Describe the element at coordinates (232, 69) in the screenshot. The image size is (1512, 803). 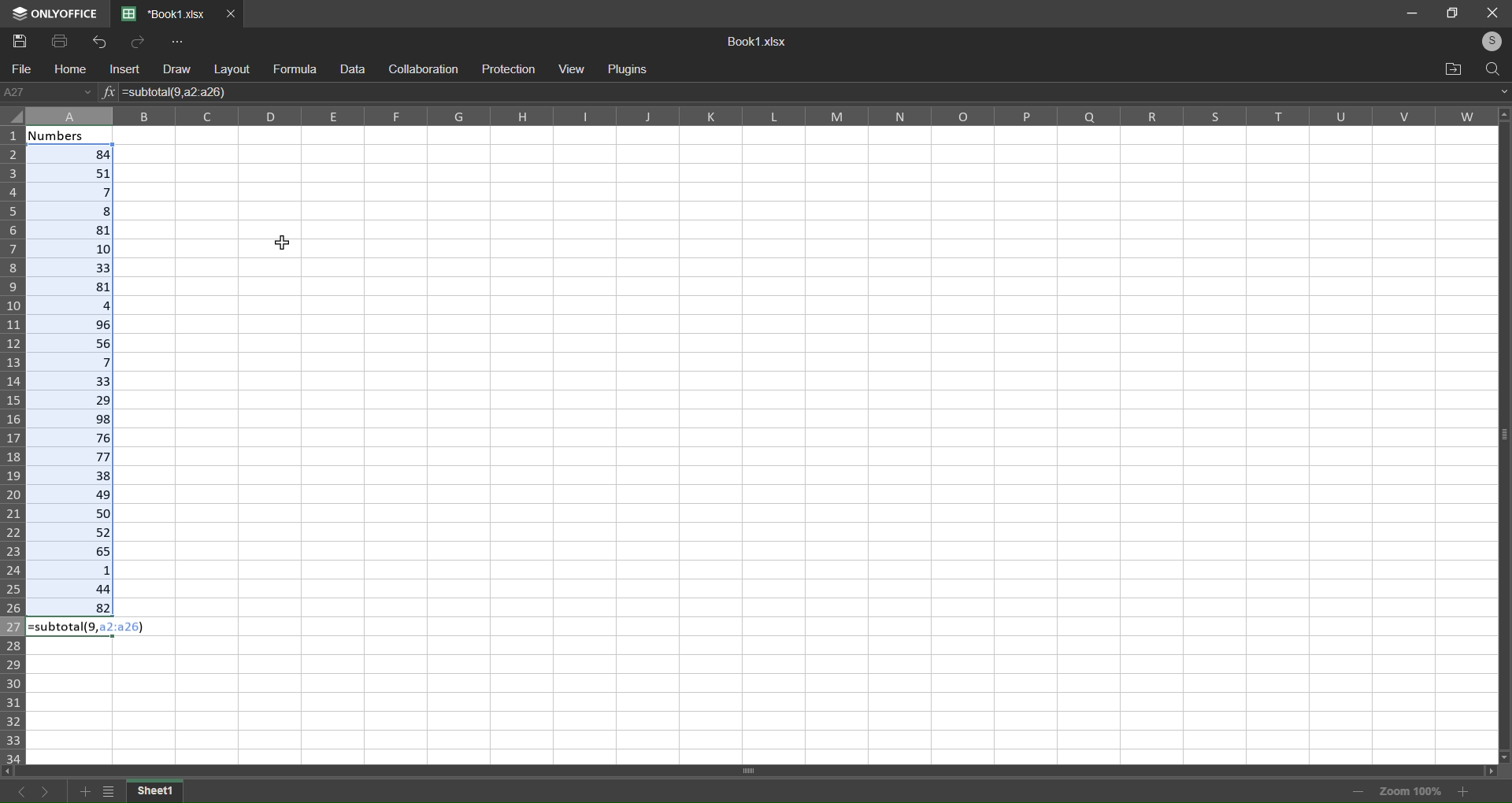
I see `layout` at that location.